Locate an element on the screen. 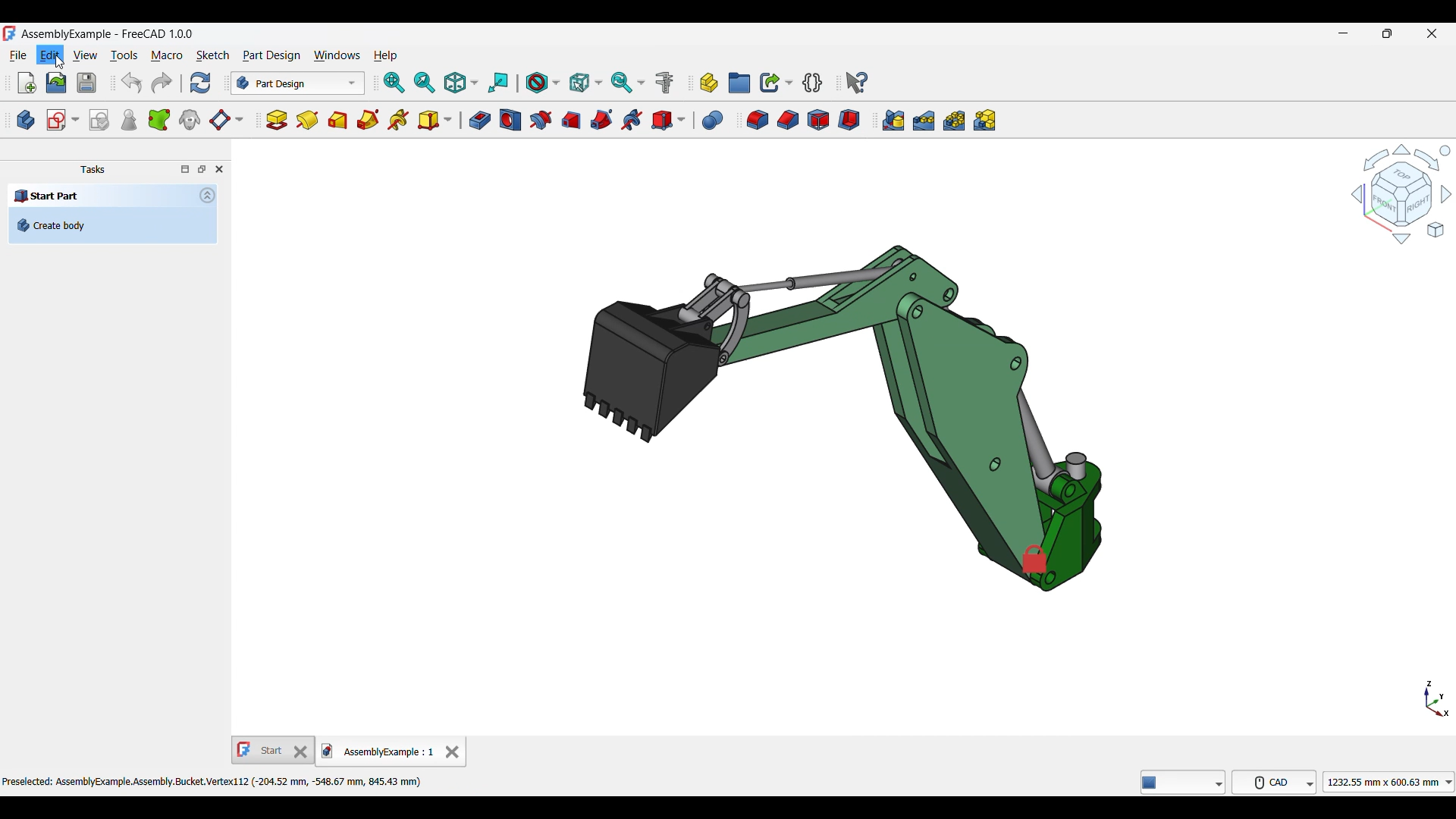 The image size is (1456, 819). Open is located at coordinates (56, 83).